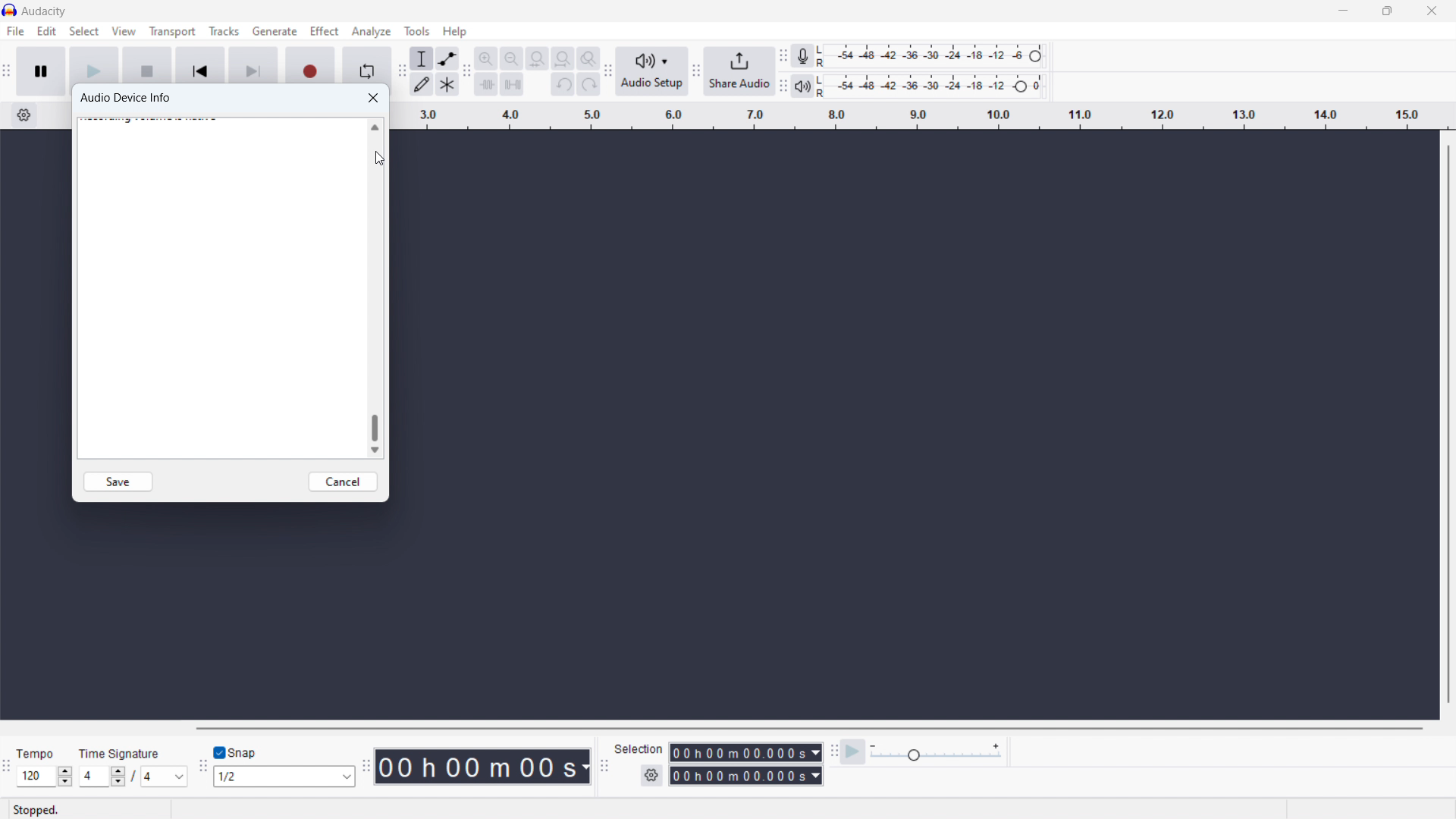 The height and width of the screenshot is (819, 1456). What do you see at coordinates (588, 58) in the screenshot?
I see `toggle zoom` at bounding box center [588, 58].